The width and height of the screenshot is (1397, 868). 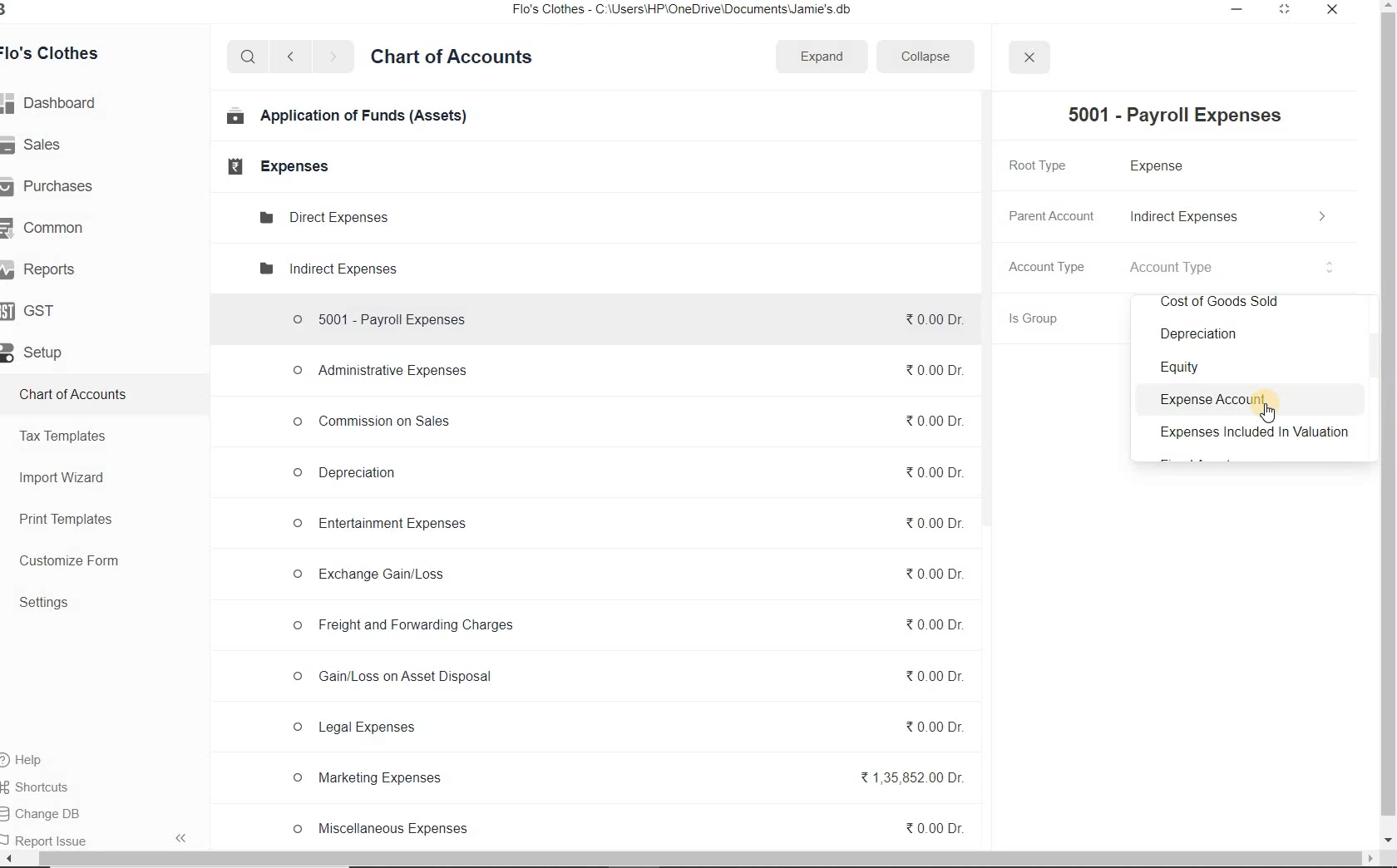 I want to click on © Miscellaneous Expenses %0.00Dr., so click(x=627, y=828).